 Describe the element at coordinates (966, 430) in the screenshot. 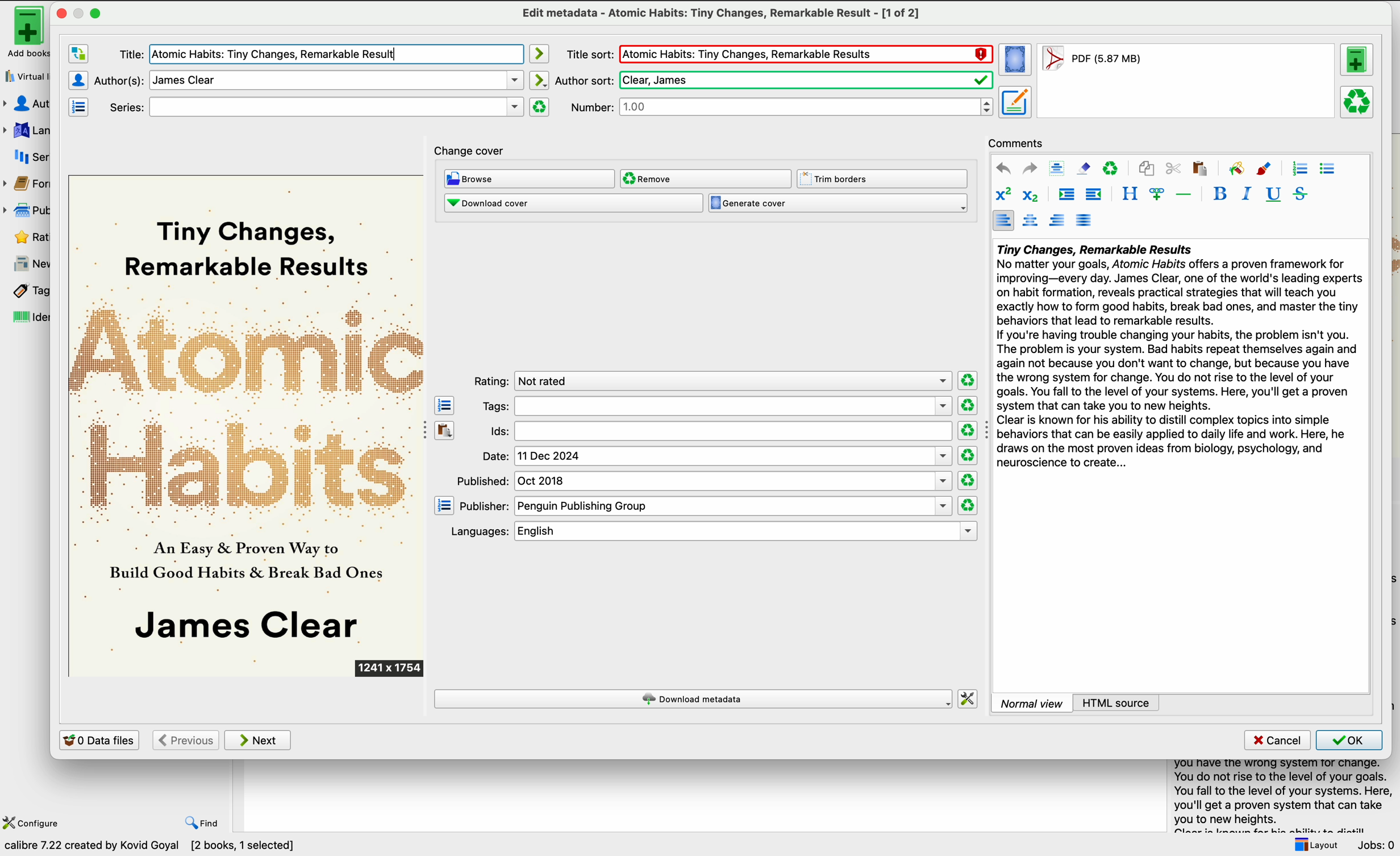

I see `clear rating` at that location.